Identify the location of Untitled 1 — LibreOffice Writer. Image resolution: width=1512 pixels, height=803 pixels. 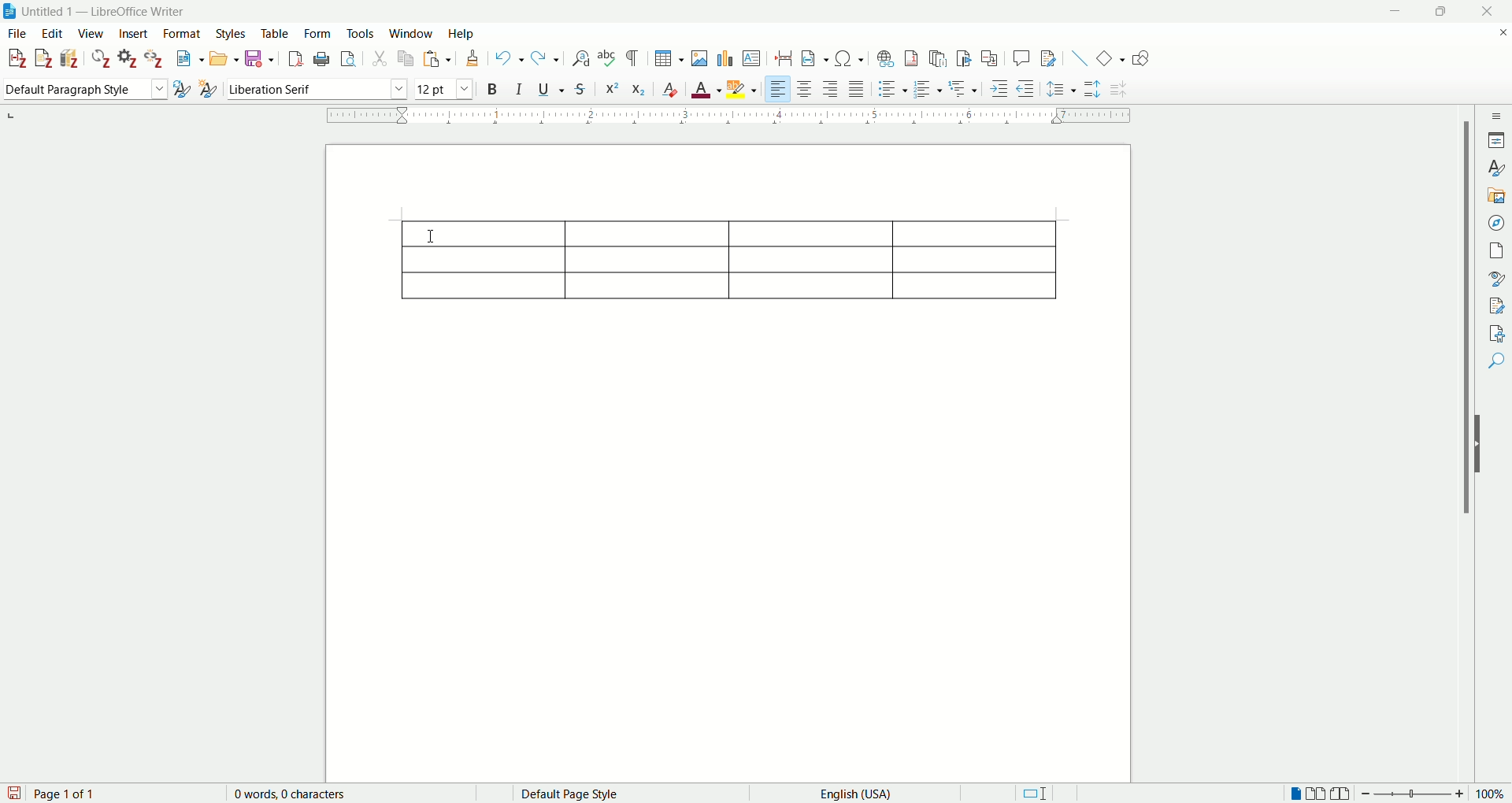
(104, 9).